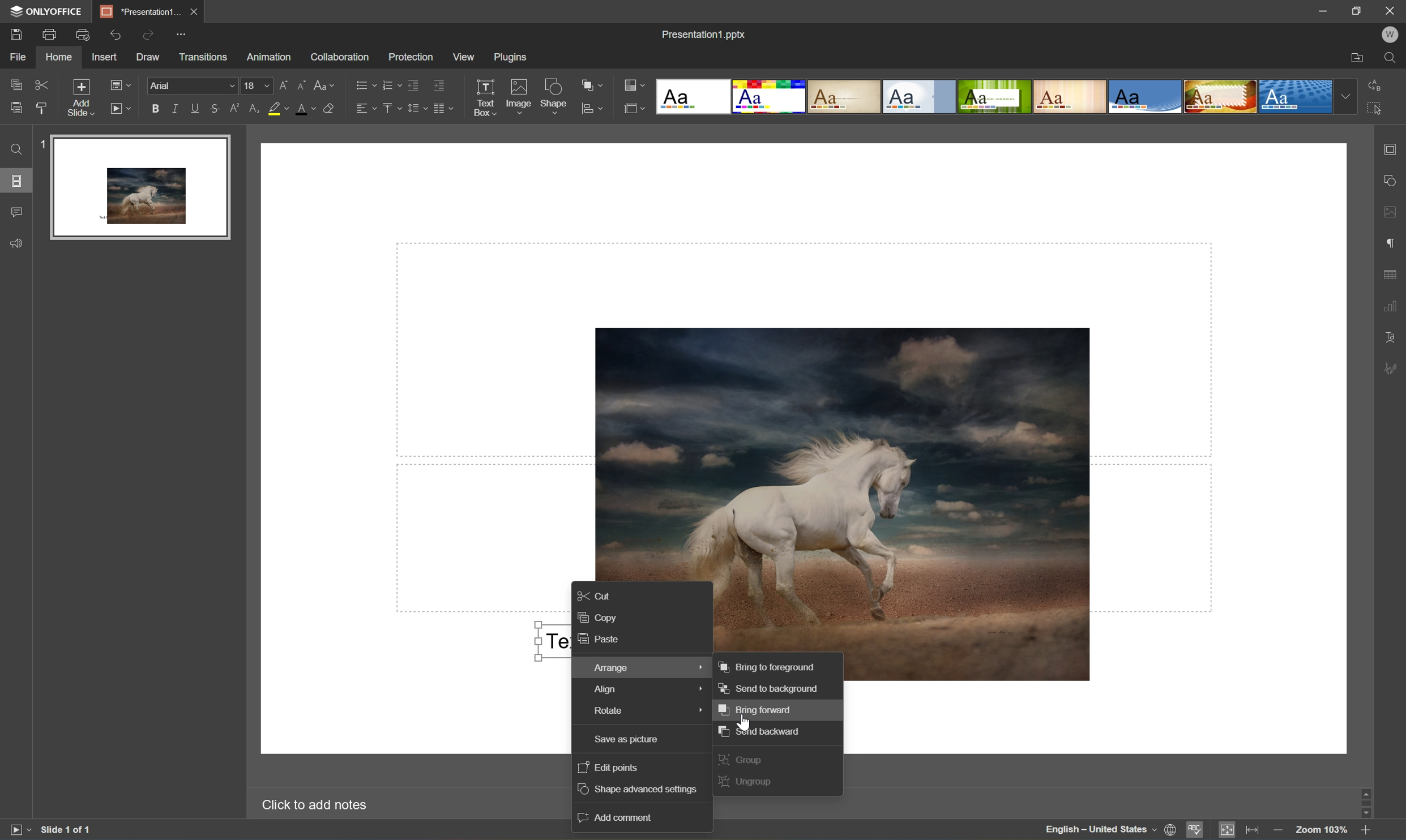  What do you see at coordinates (17, 150) in the screenshot?
I see `Find` at bounding box center [17, 150].